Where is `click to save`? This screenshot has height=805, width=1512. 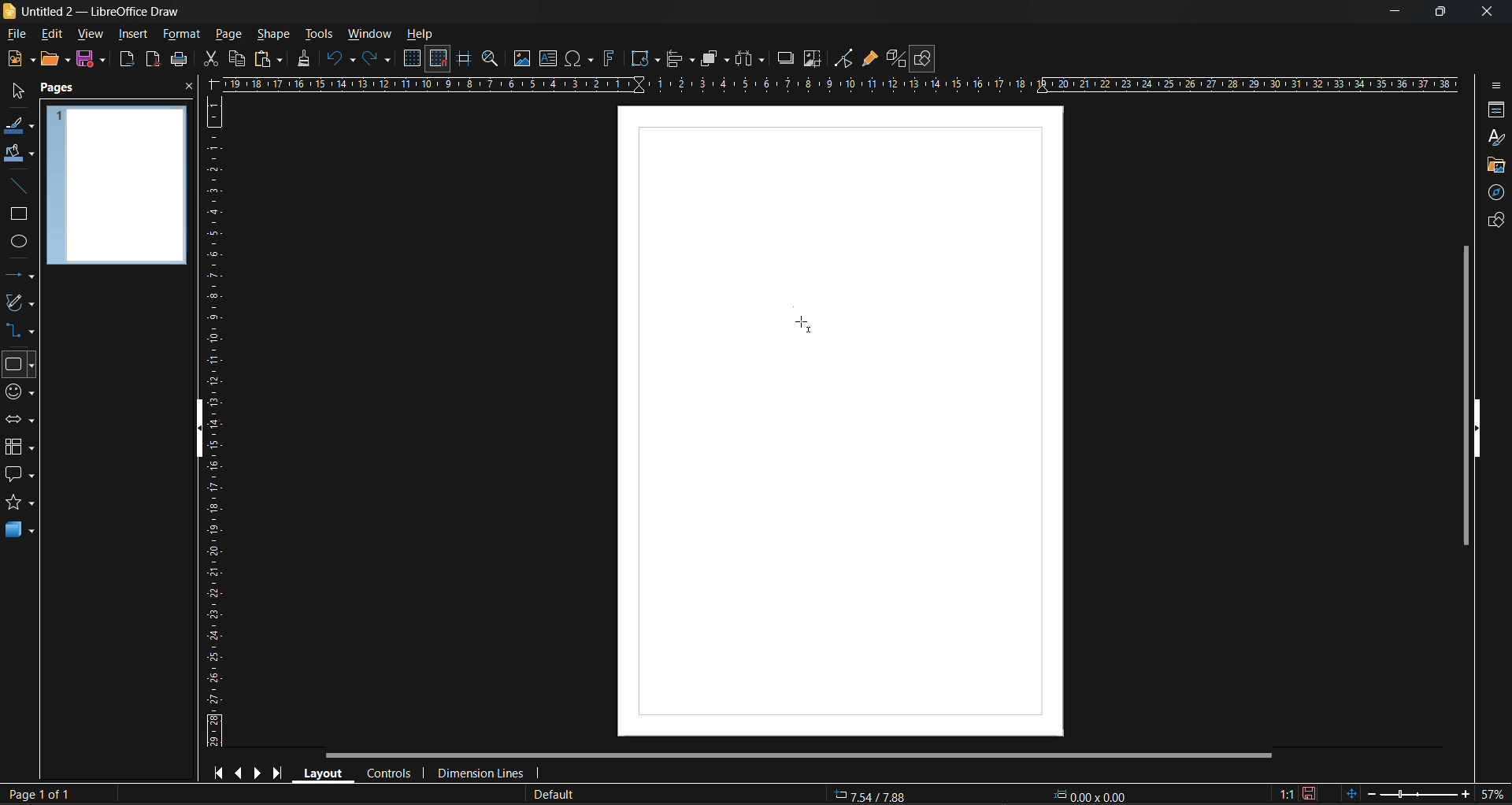 click to save is located at coordinates (1311, 794).